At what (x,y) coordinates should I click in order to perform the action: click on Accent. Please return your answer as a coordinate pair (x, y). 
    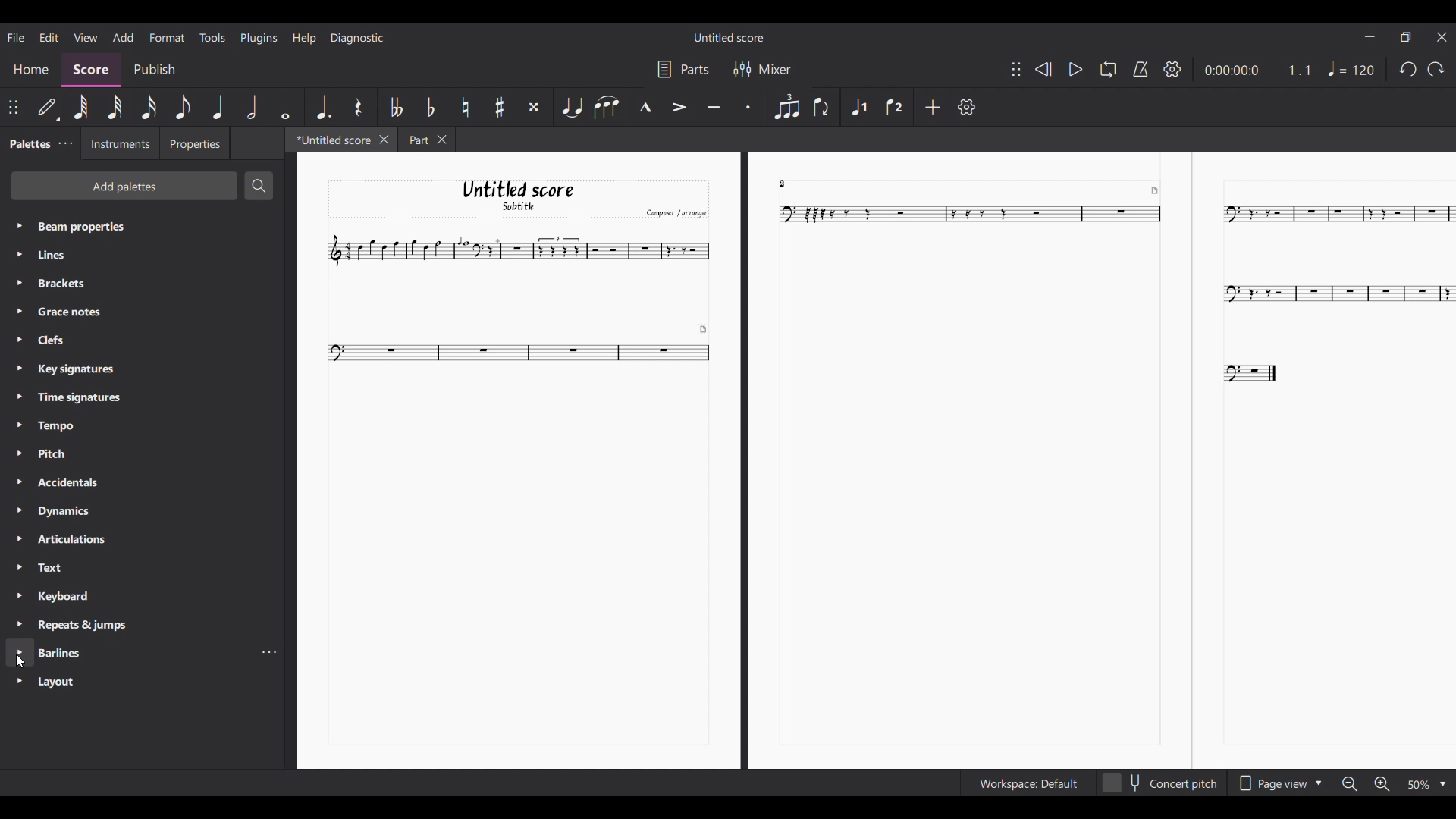
    Looking at the image, I should click on (680, 107).